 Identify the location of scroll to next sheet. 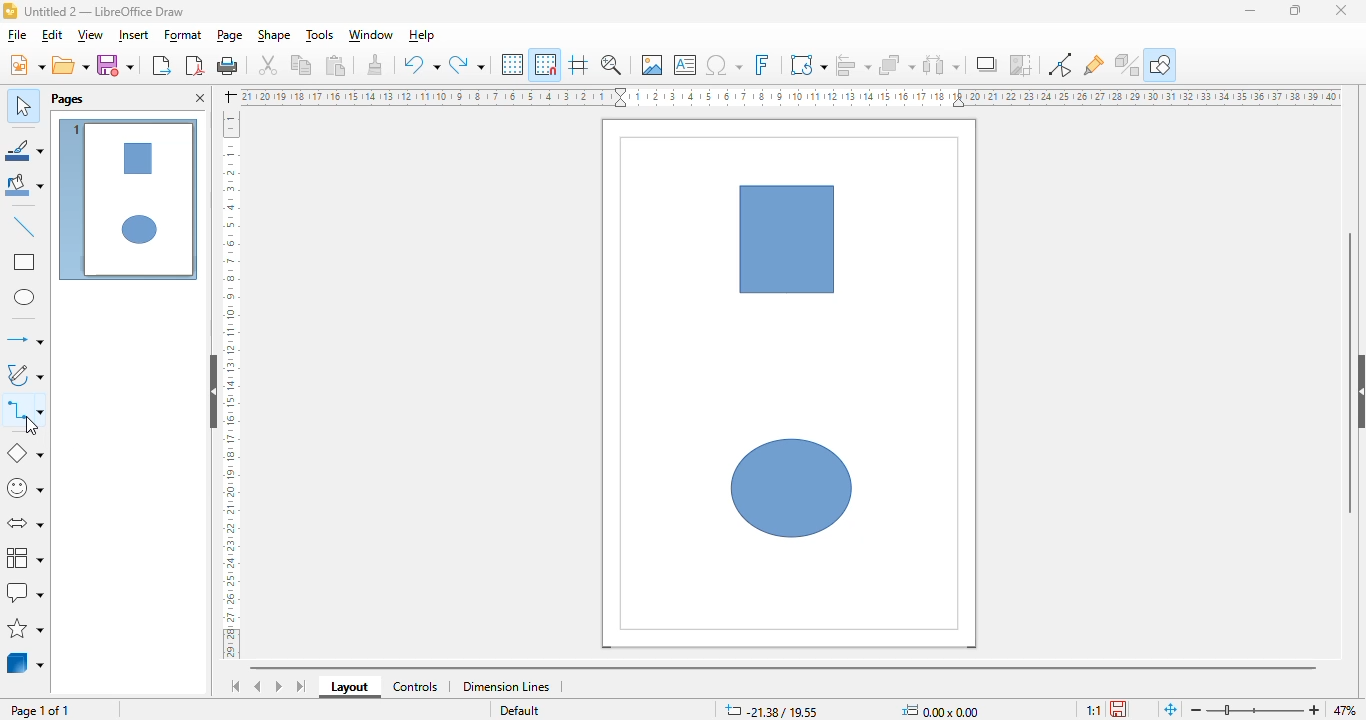
(279, 686).